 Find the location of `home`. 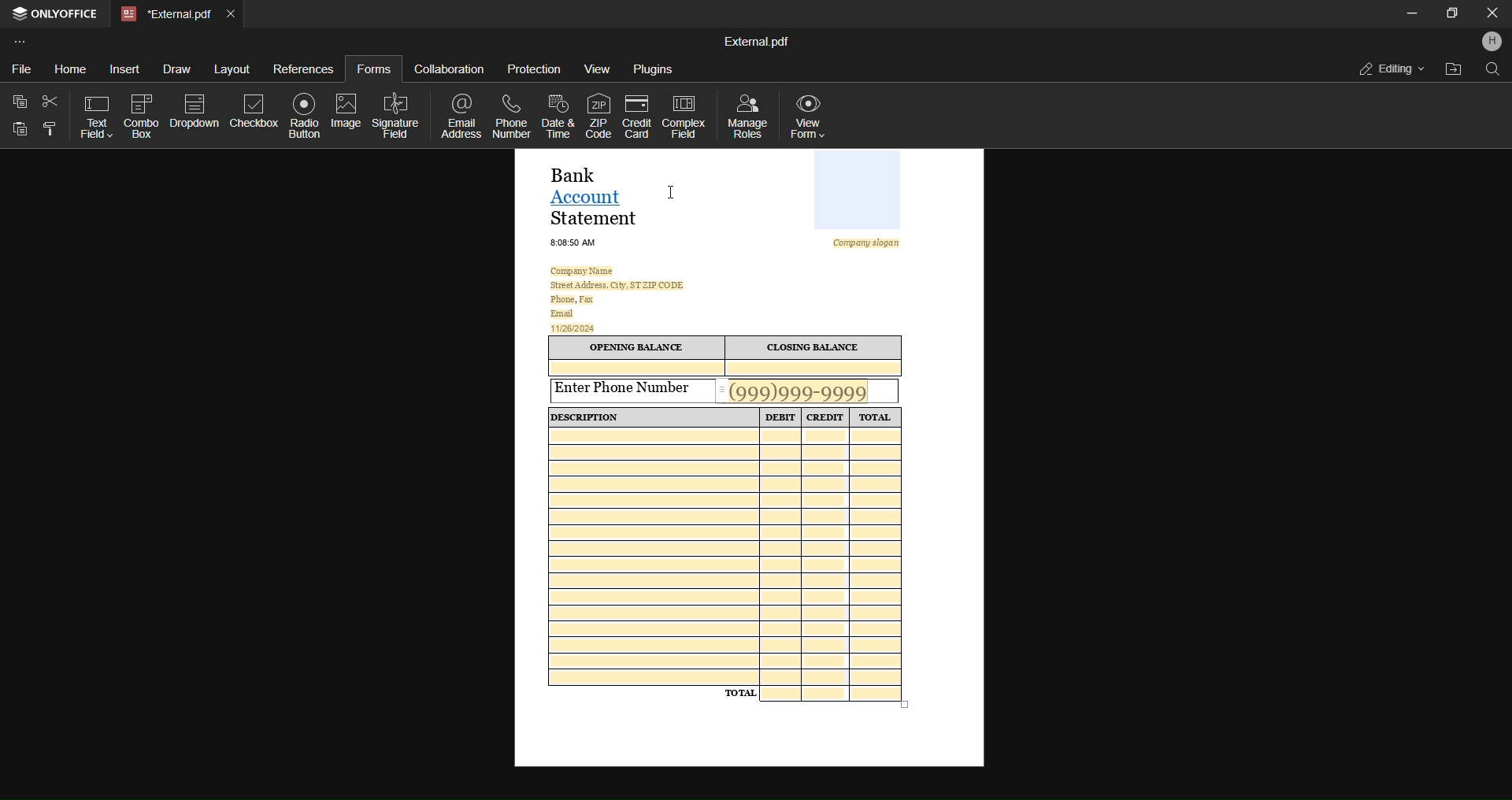

home is located at coordinates (69, 67).